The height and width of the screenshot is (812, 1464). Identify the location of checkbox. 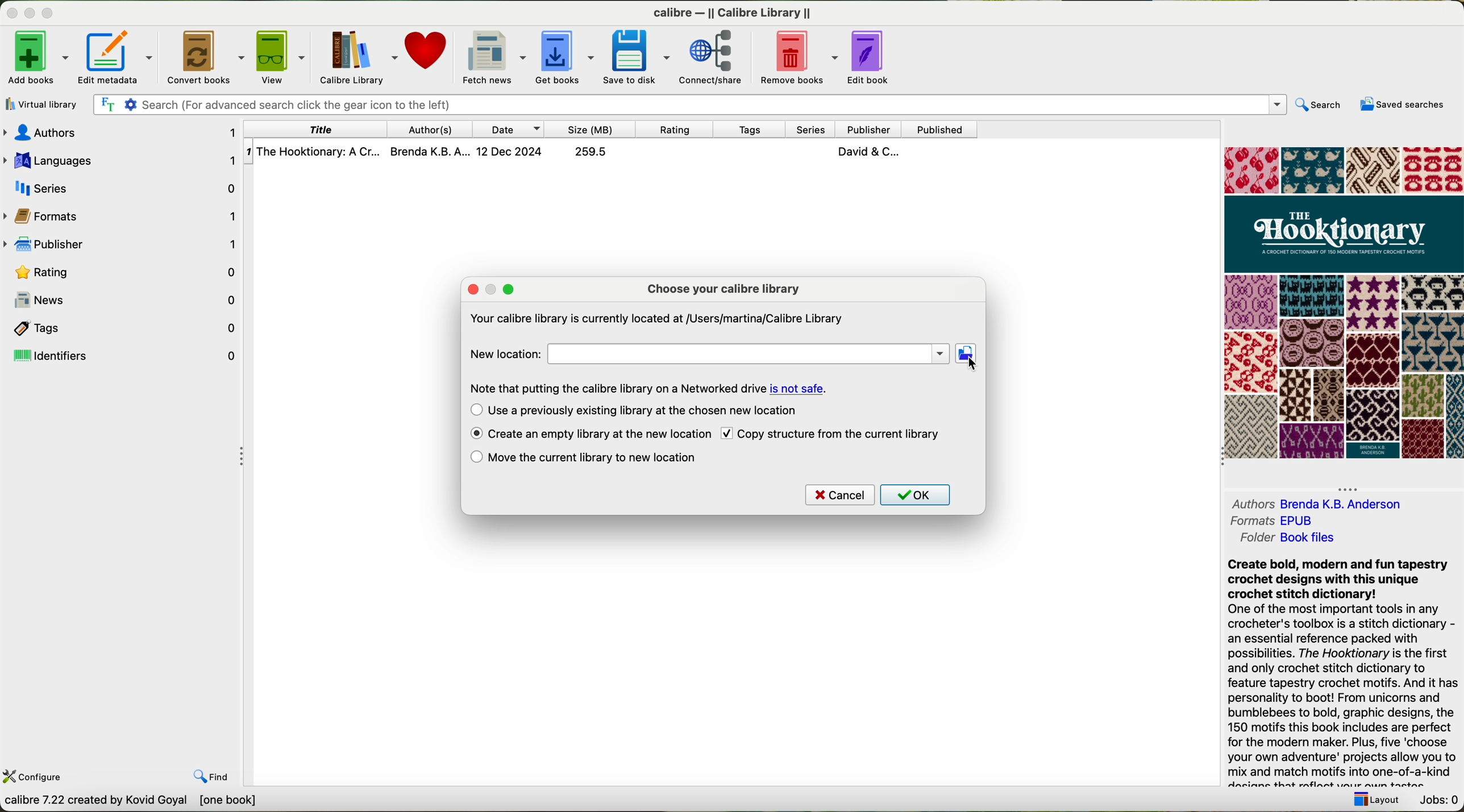
(476, 434).